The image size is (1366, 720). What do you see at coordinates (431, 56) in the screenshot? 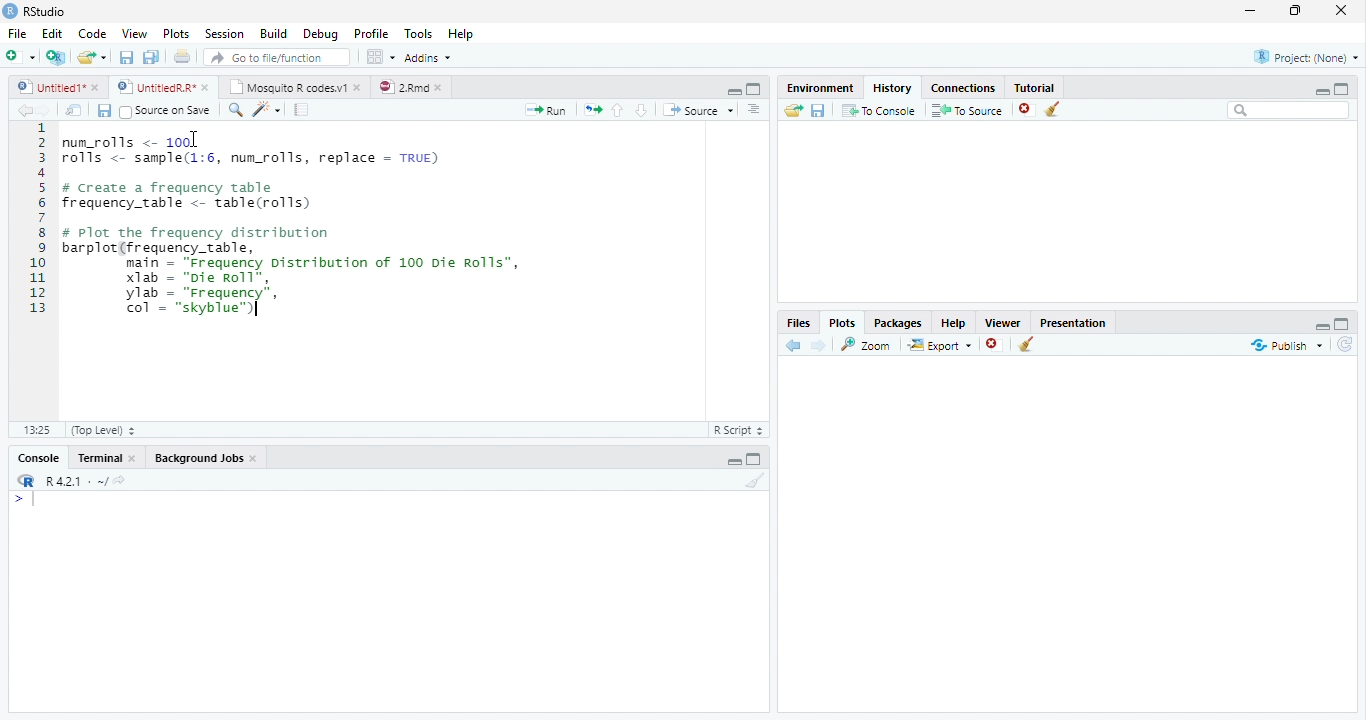
I see `Addins` at bounding box center [431, 56].